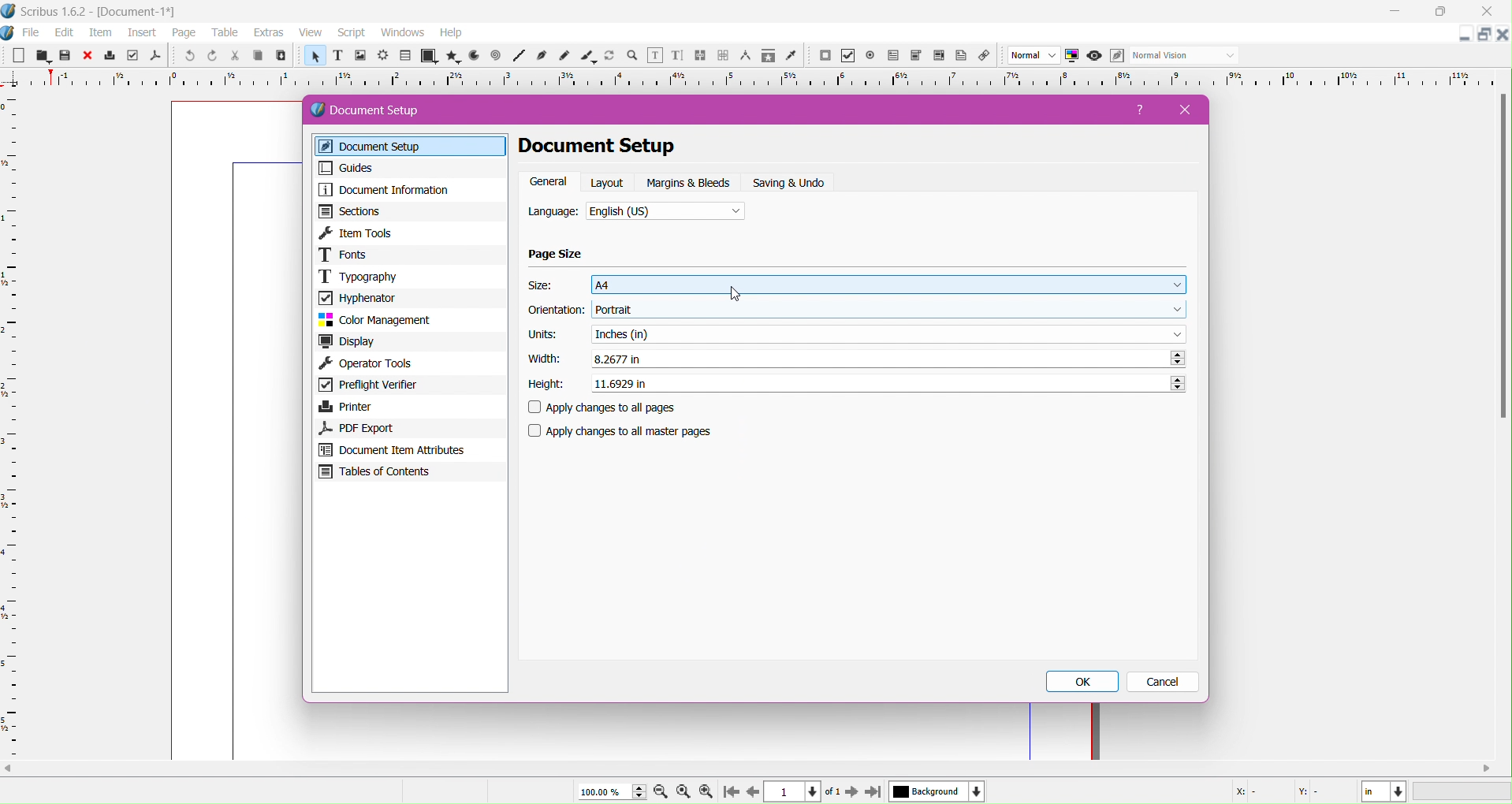 Image resolution: width=1512 pixels, height=804 pixels. I want to click on image preview quality, so click(1034, 56).